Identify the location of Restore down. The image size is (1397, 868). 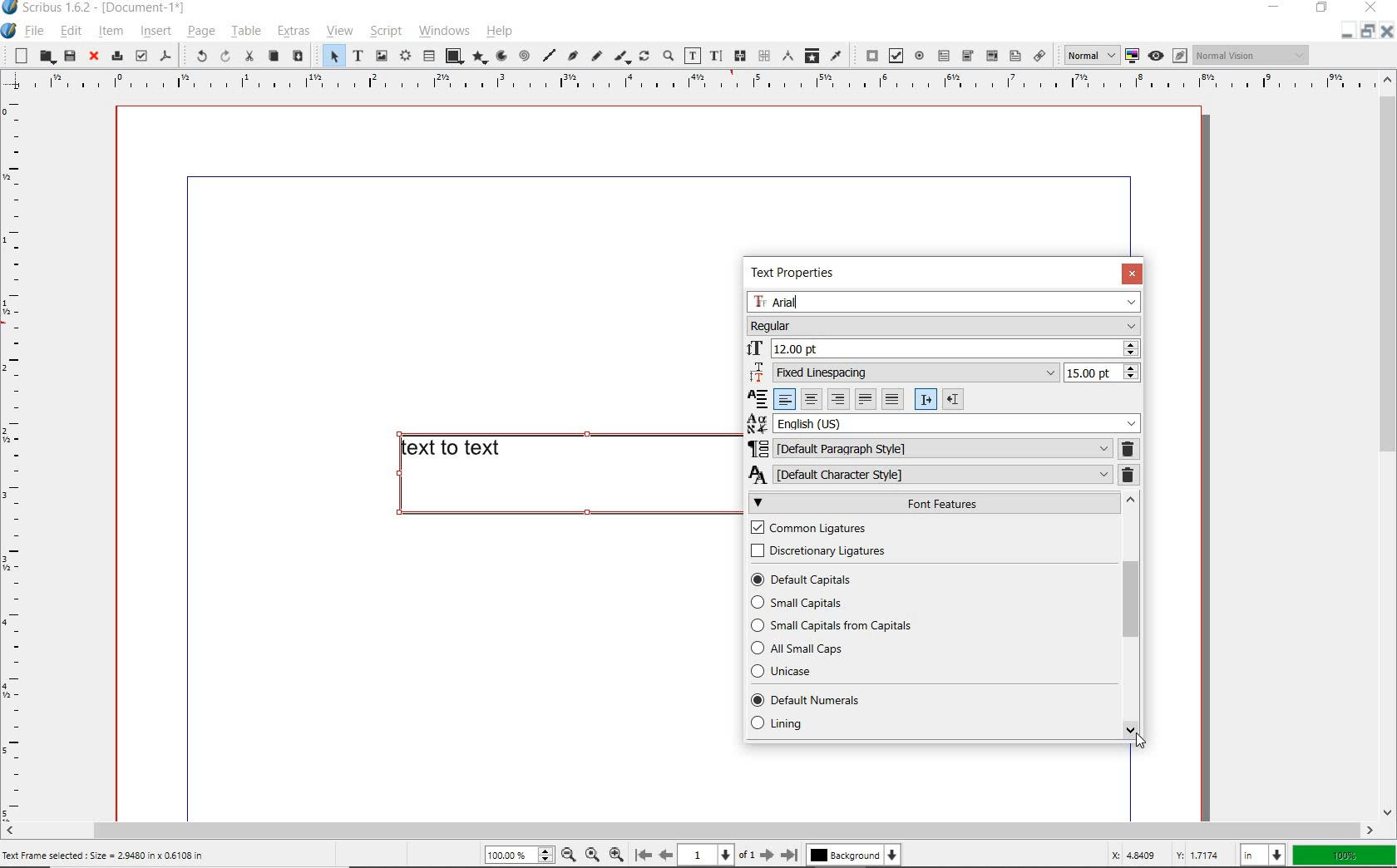
(1345, 32).